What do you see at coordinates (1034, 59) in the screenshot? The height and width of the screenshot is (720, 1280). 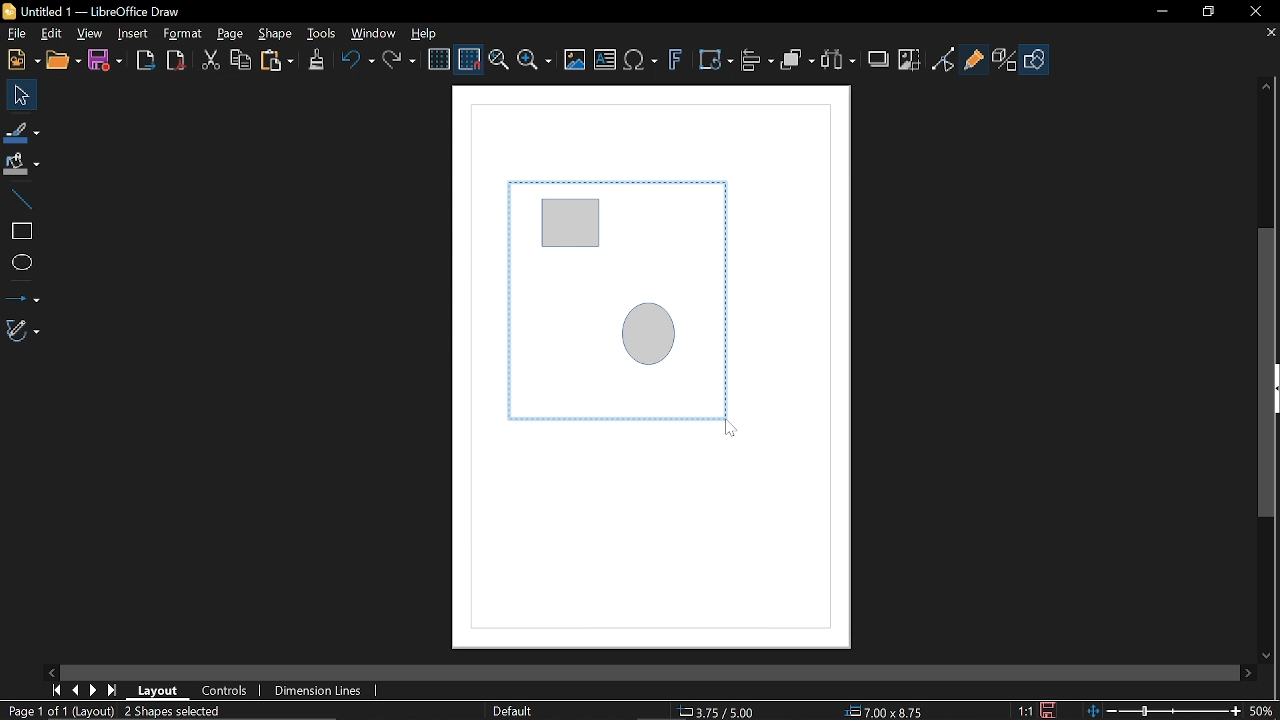 I see `Shapes` at bounding box center [1034, 59].